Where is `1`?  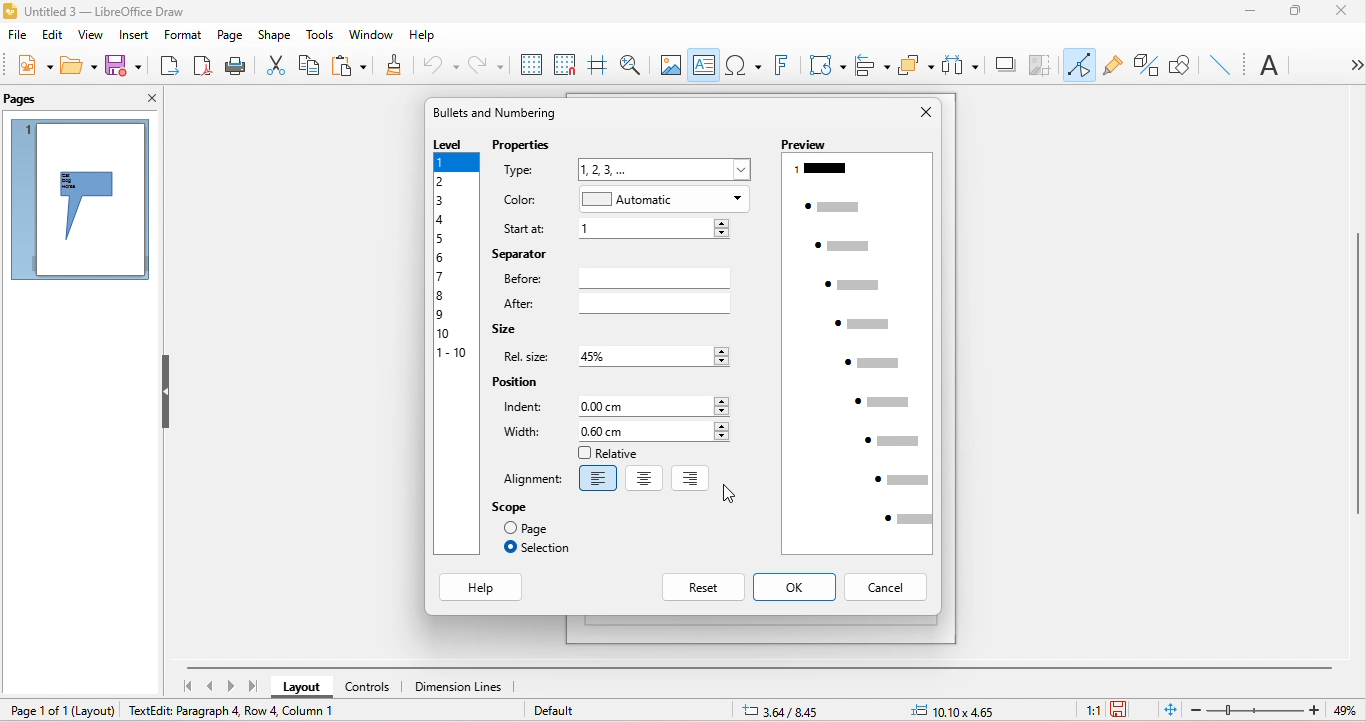
1 is located at coordinates (656, 229).